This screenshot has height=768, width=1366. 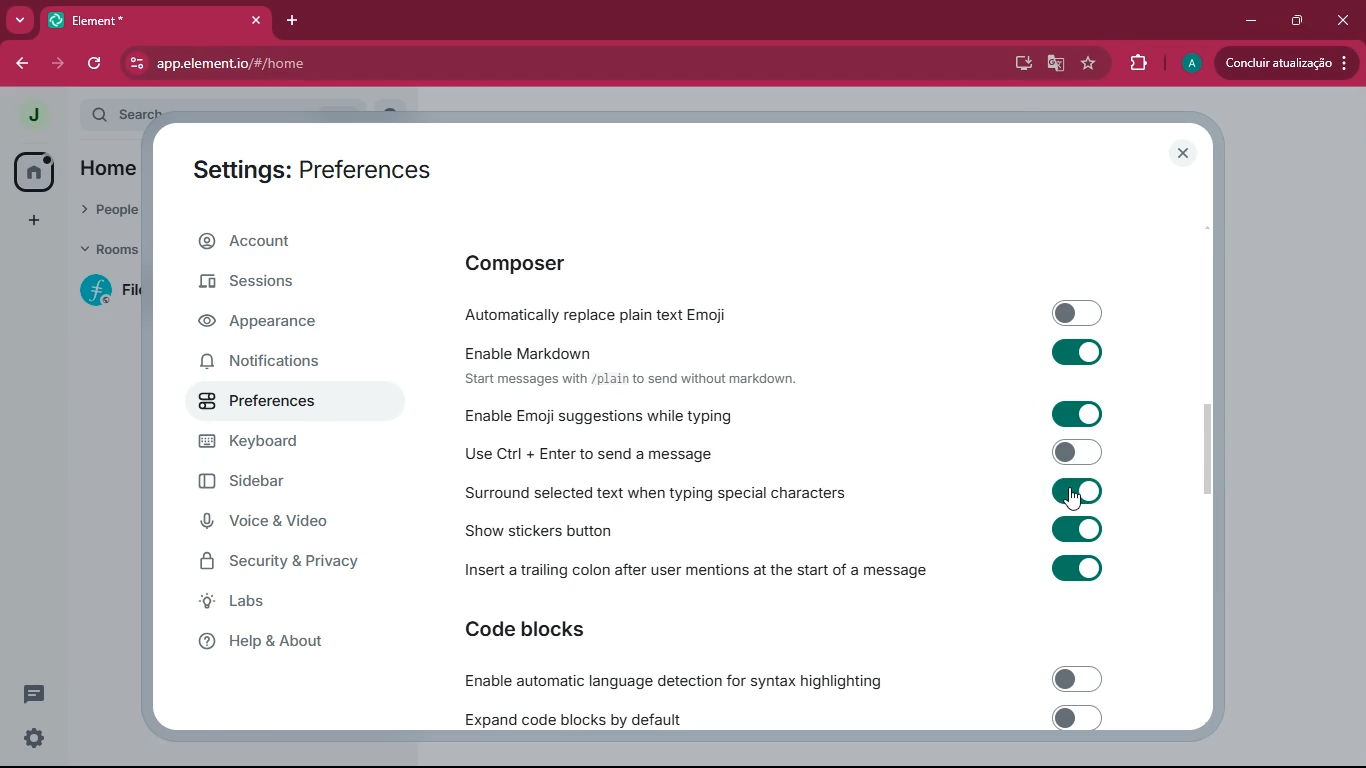 I want to click on extensions, so click(x=1137, y=64).